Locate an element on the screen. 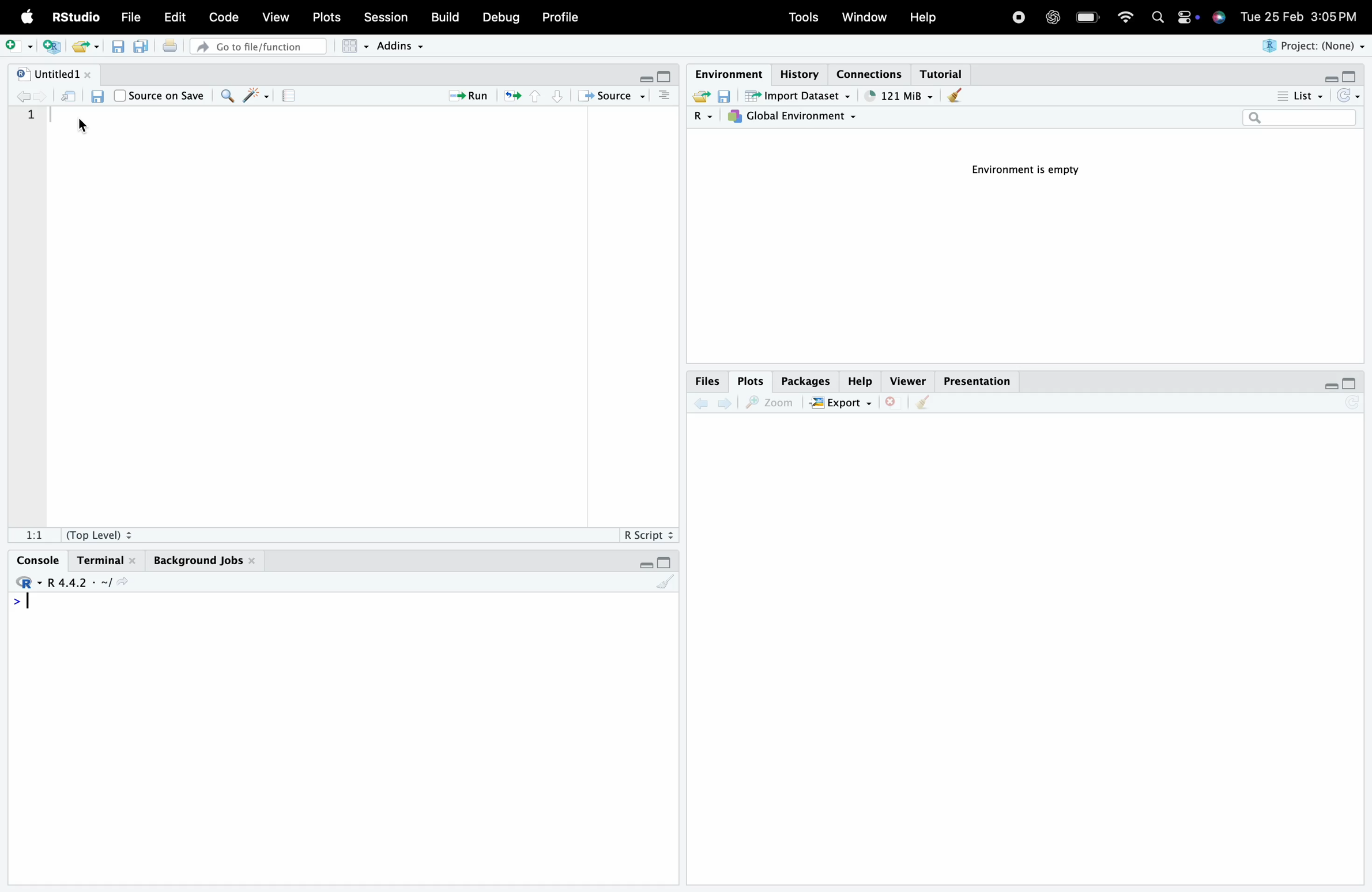   Go back to the previous source location (Ctrl + F9) is located at coordinates (700, 403).